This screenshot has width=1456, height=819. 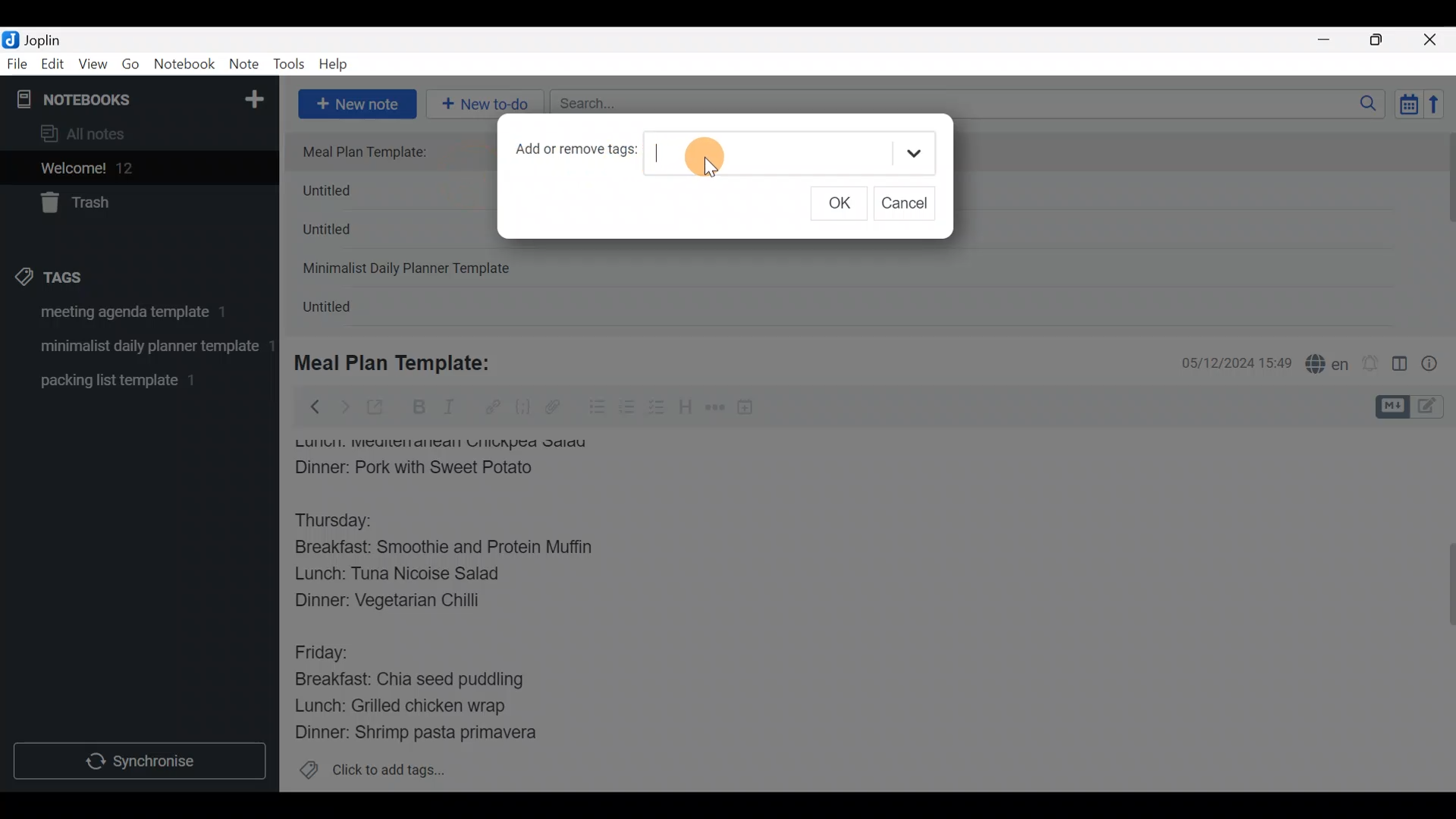 What do you see at coordinates (435, 468) in the screenshot?
I see `Dinner: Pork with Sweet Potato` at bounding box center [435, 468].